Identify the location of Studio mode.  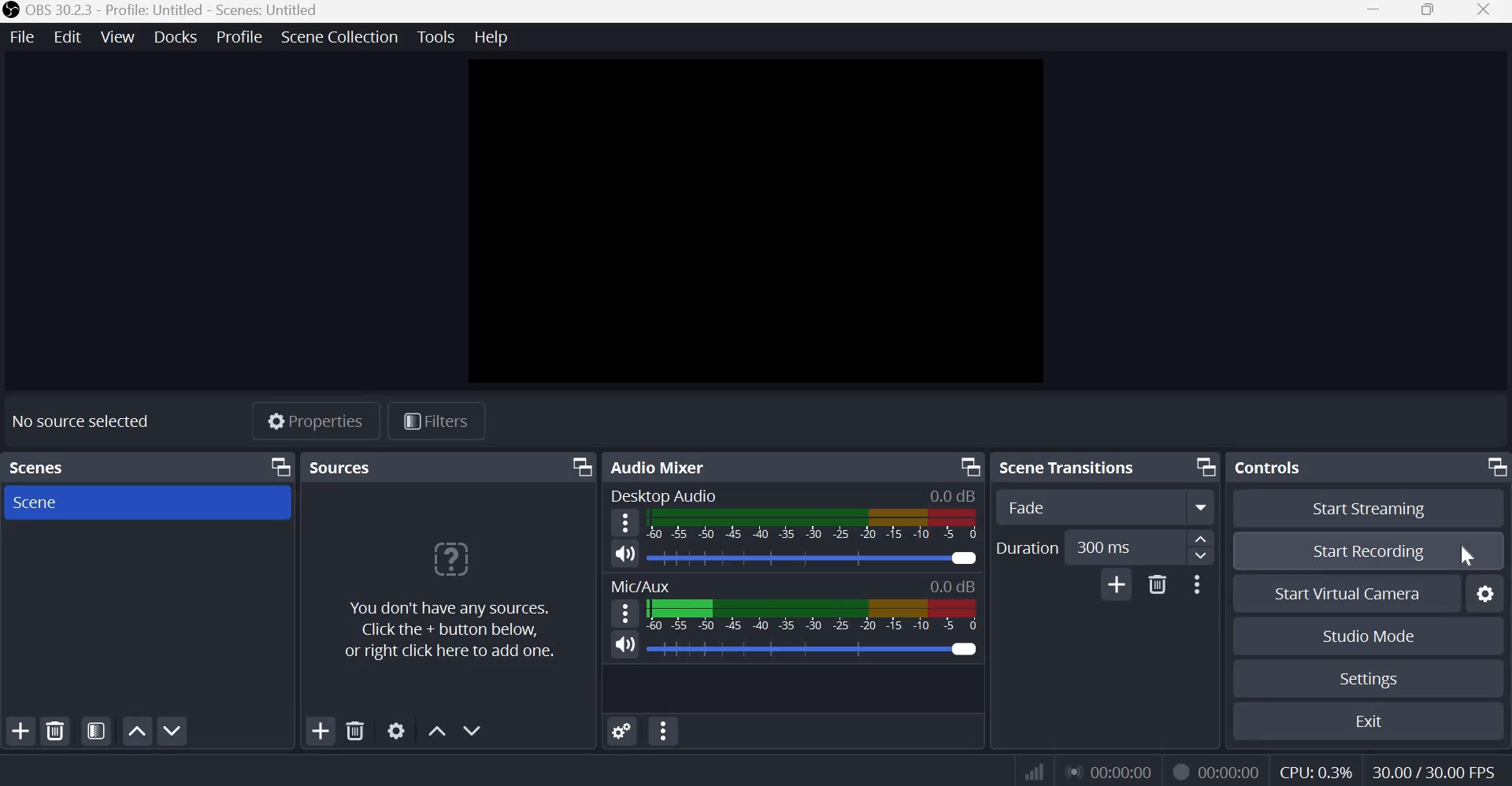
(1367, 636).